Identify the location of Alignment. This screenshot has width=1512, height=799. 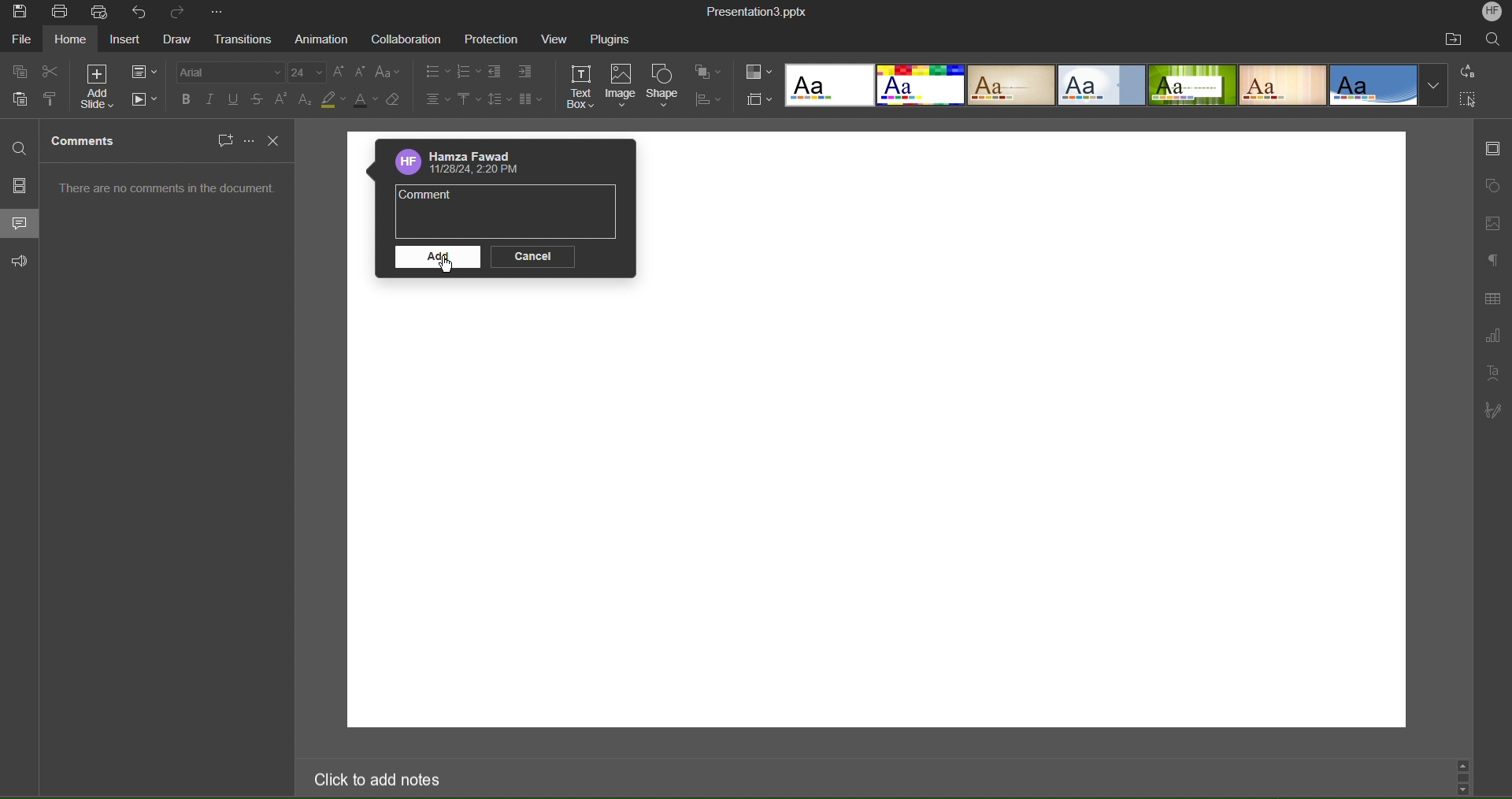
(438, 101).